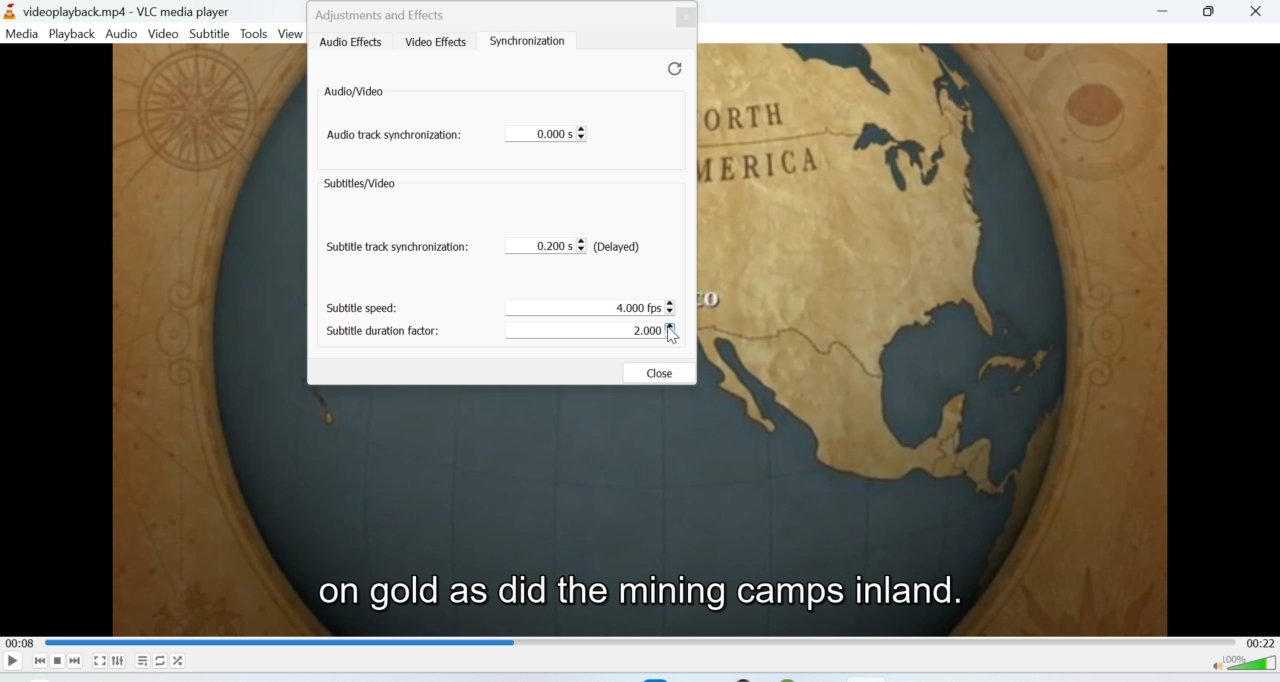 The width and height of the screenshot is (1280, 682). Describe the element at coordinates (435, 40) in the screenshot. I see `video effects` at that location.